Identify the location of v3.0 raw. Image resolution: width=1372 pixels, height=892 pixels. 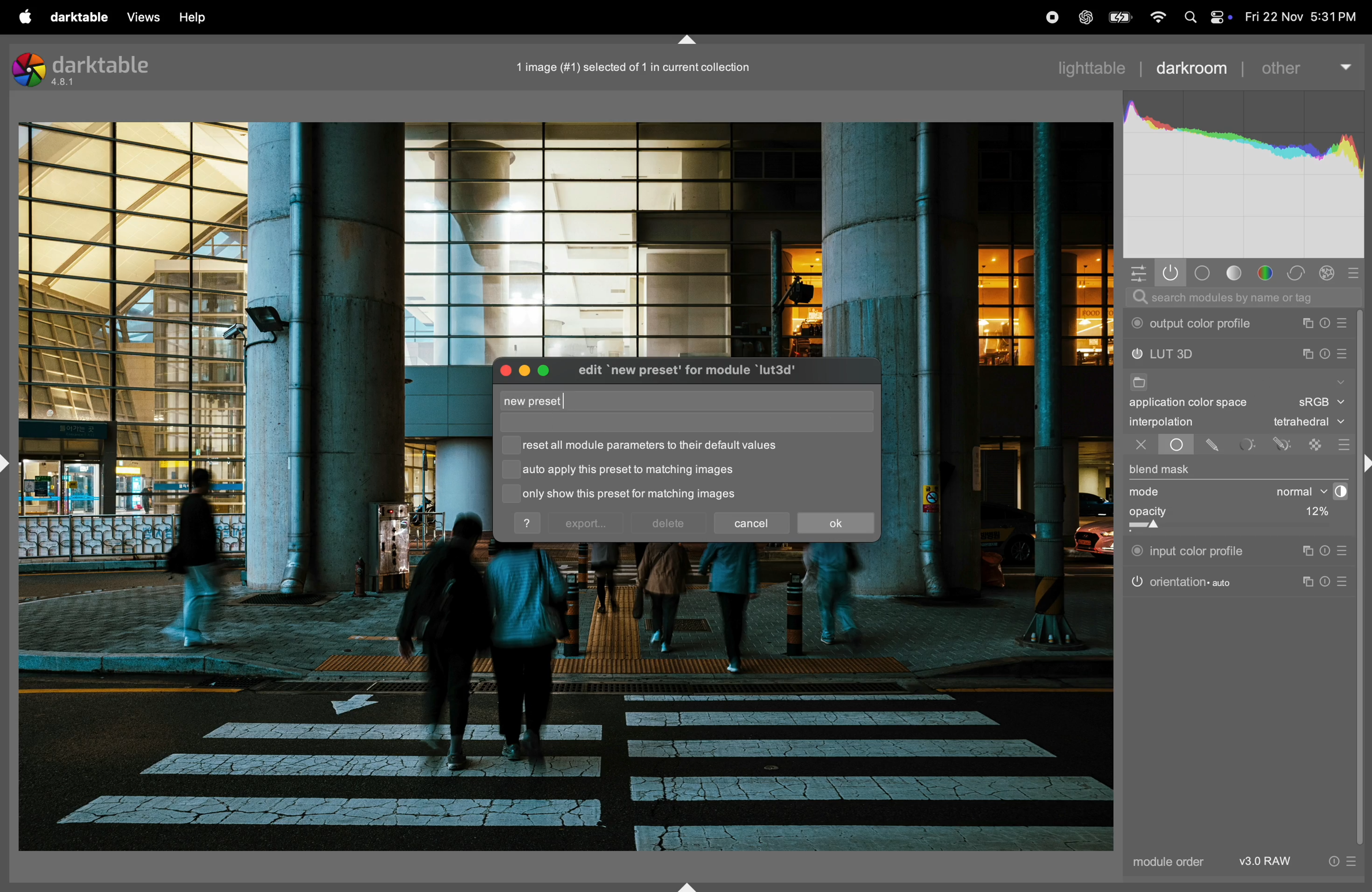
(1296, 864).